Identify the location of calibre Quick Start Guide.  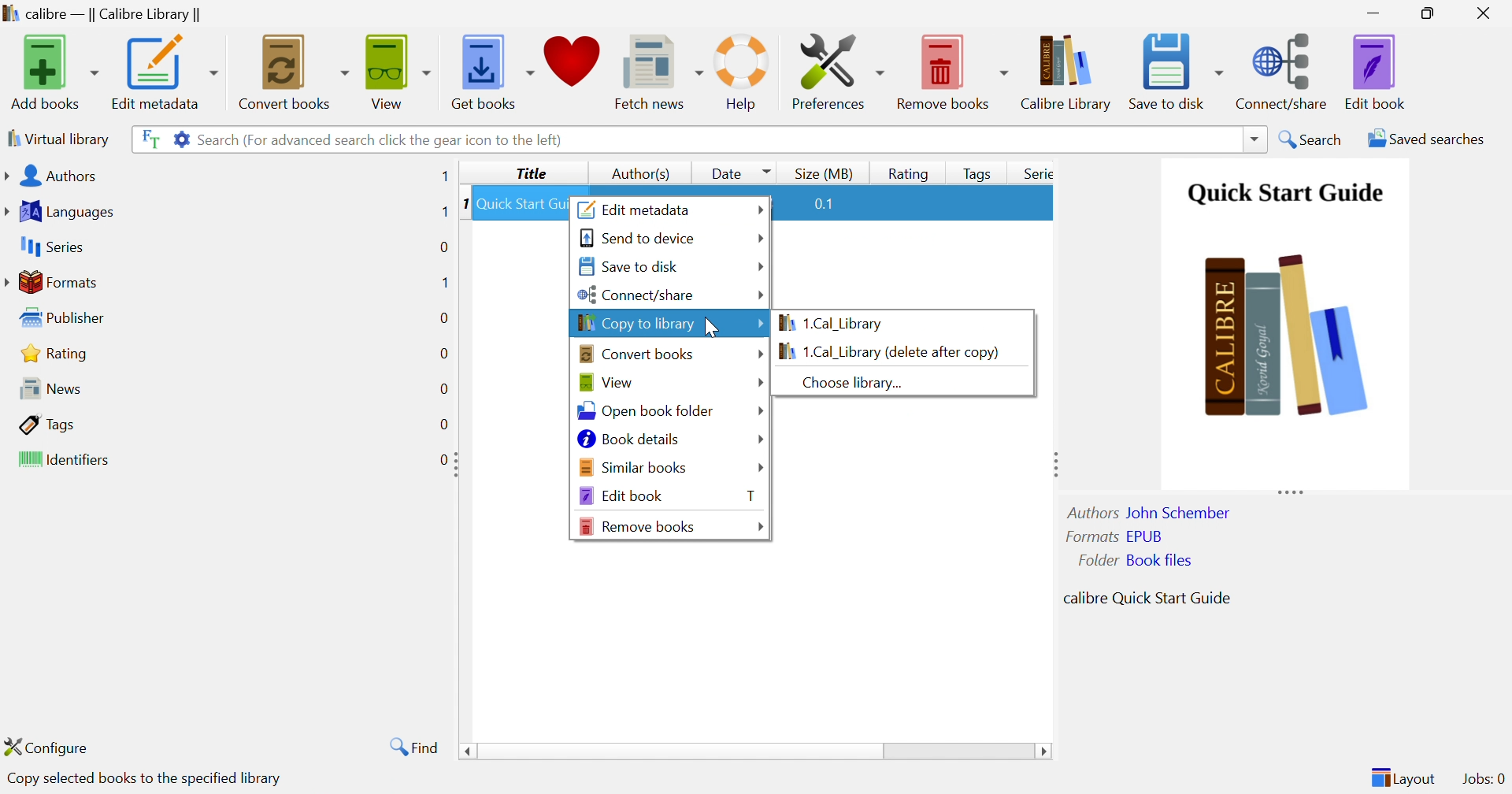
(1146, 596).